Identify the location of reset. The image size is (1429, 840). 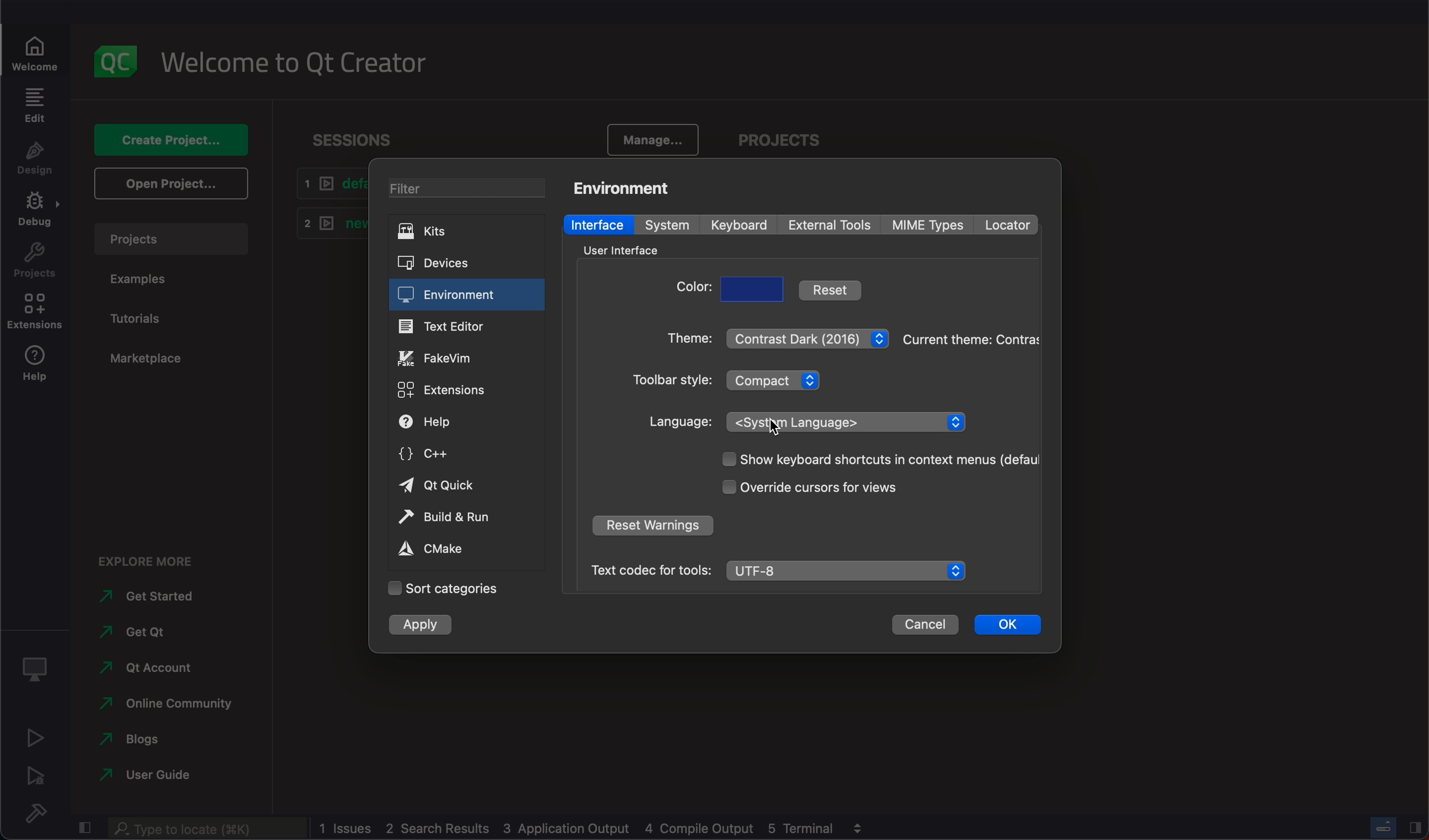
(832, 288).